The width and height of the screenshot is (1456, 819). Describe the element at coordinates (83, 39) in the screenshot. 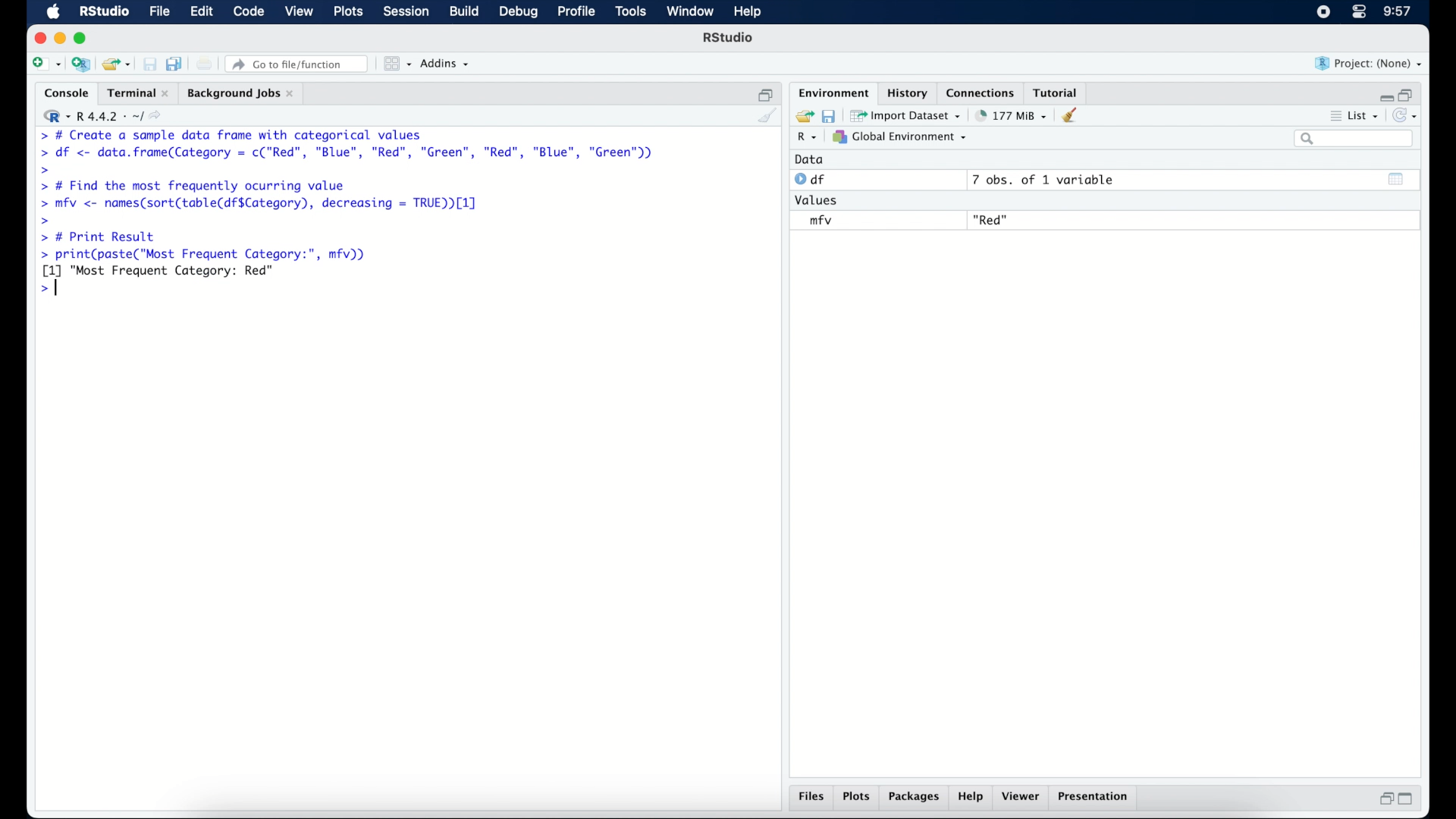

I see `maximize` at that location.